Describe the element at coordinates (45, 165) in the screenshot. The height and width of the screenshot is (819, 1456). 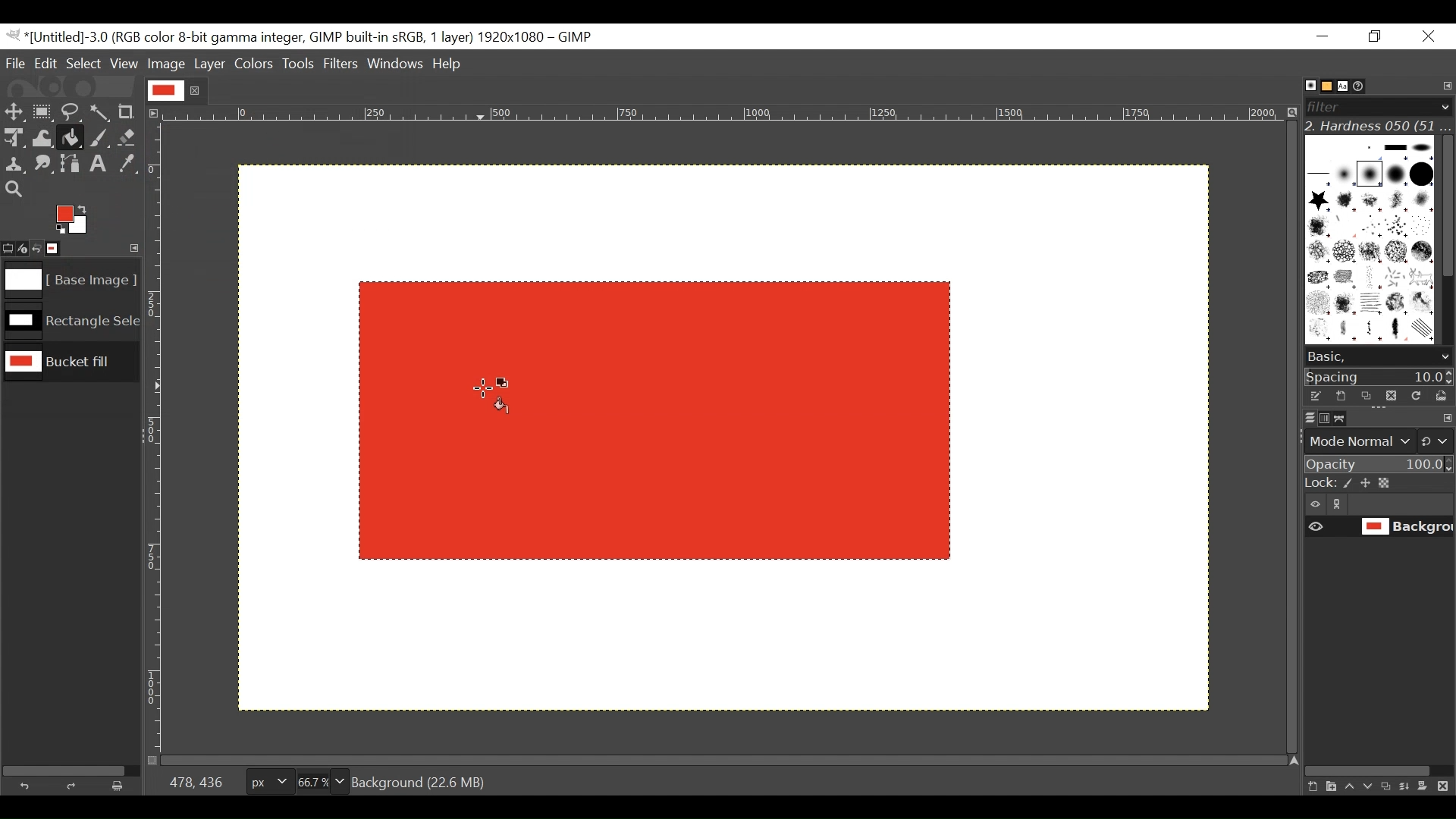
I see `Smudge tool` at that location.